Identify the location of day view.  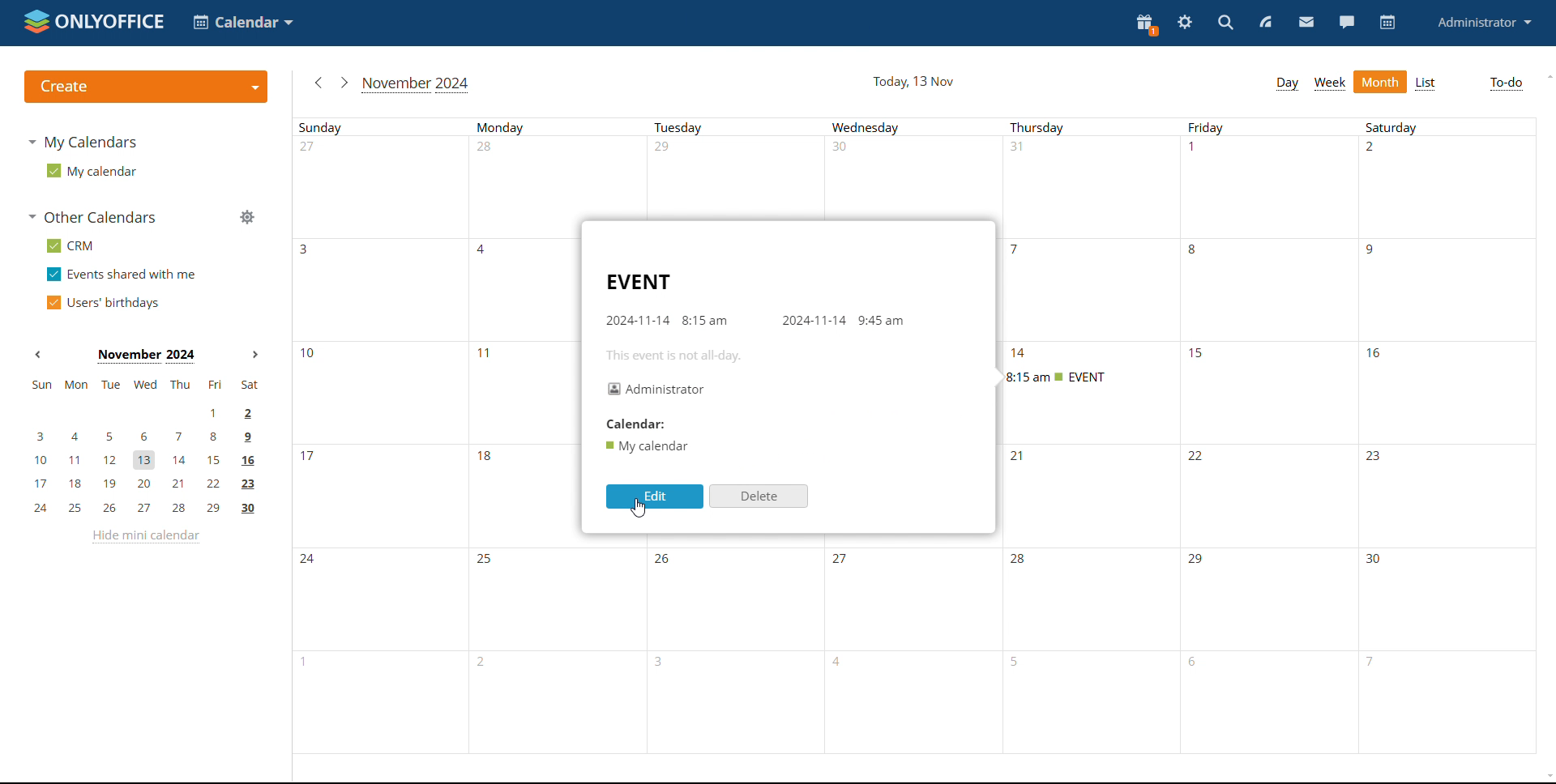
(1286, 83).